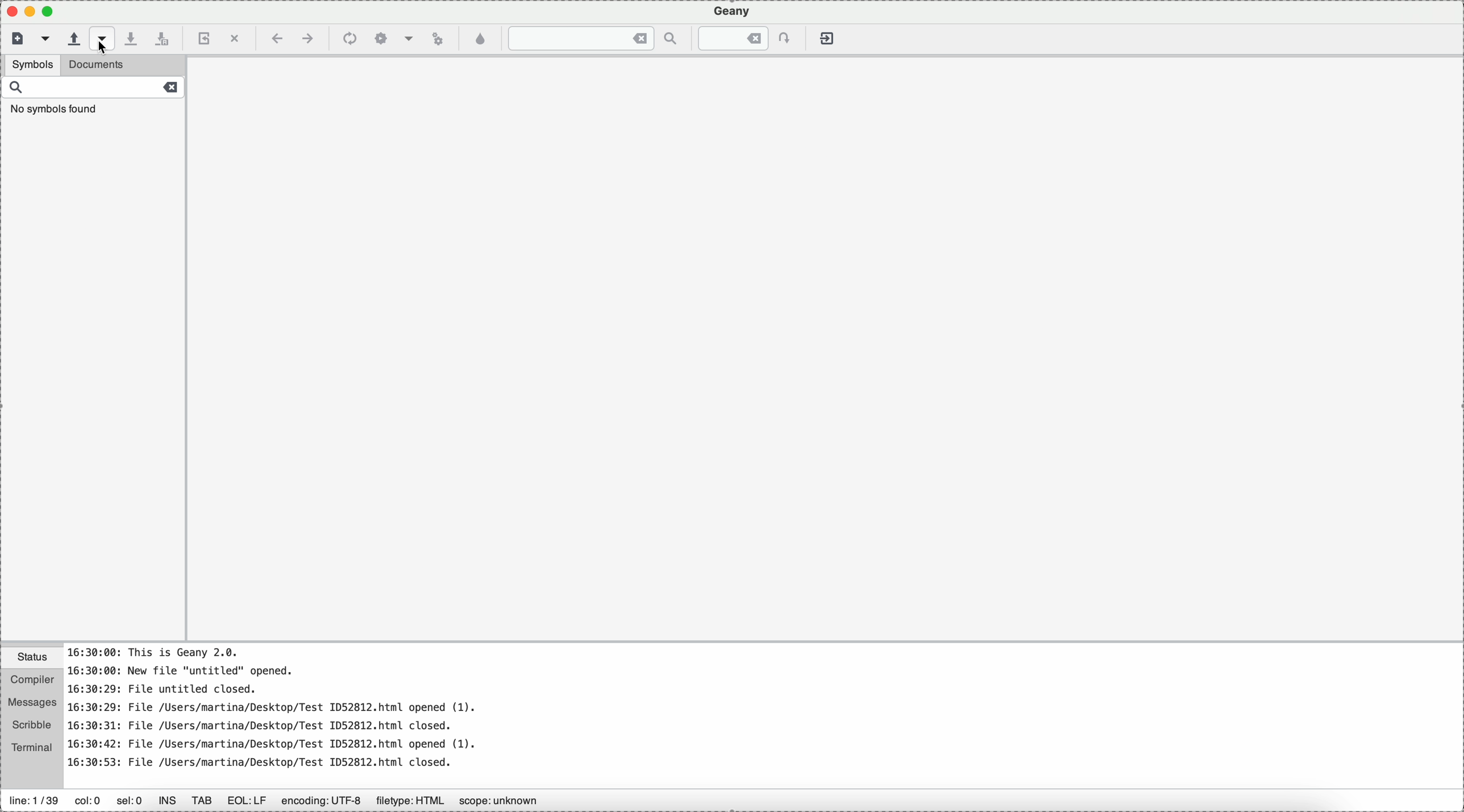 The height and width of the screenshot is (812, 1464). Describe the element at coordinates (33, 749) in the screenshot. I see `terminal` at that location.